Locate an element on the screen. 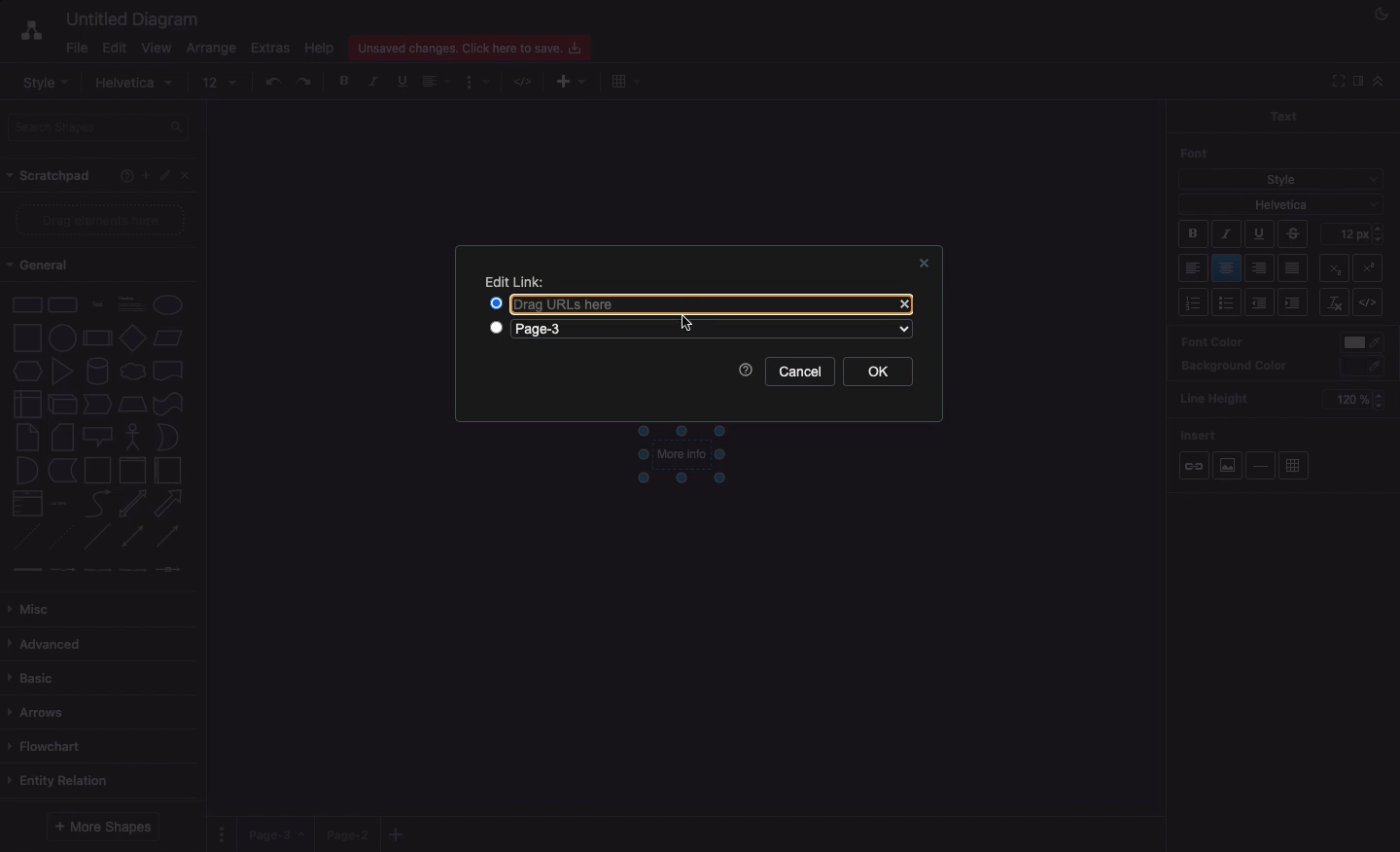  internal storage is located at coordinates (28, 404).